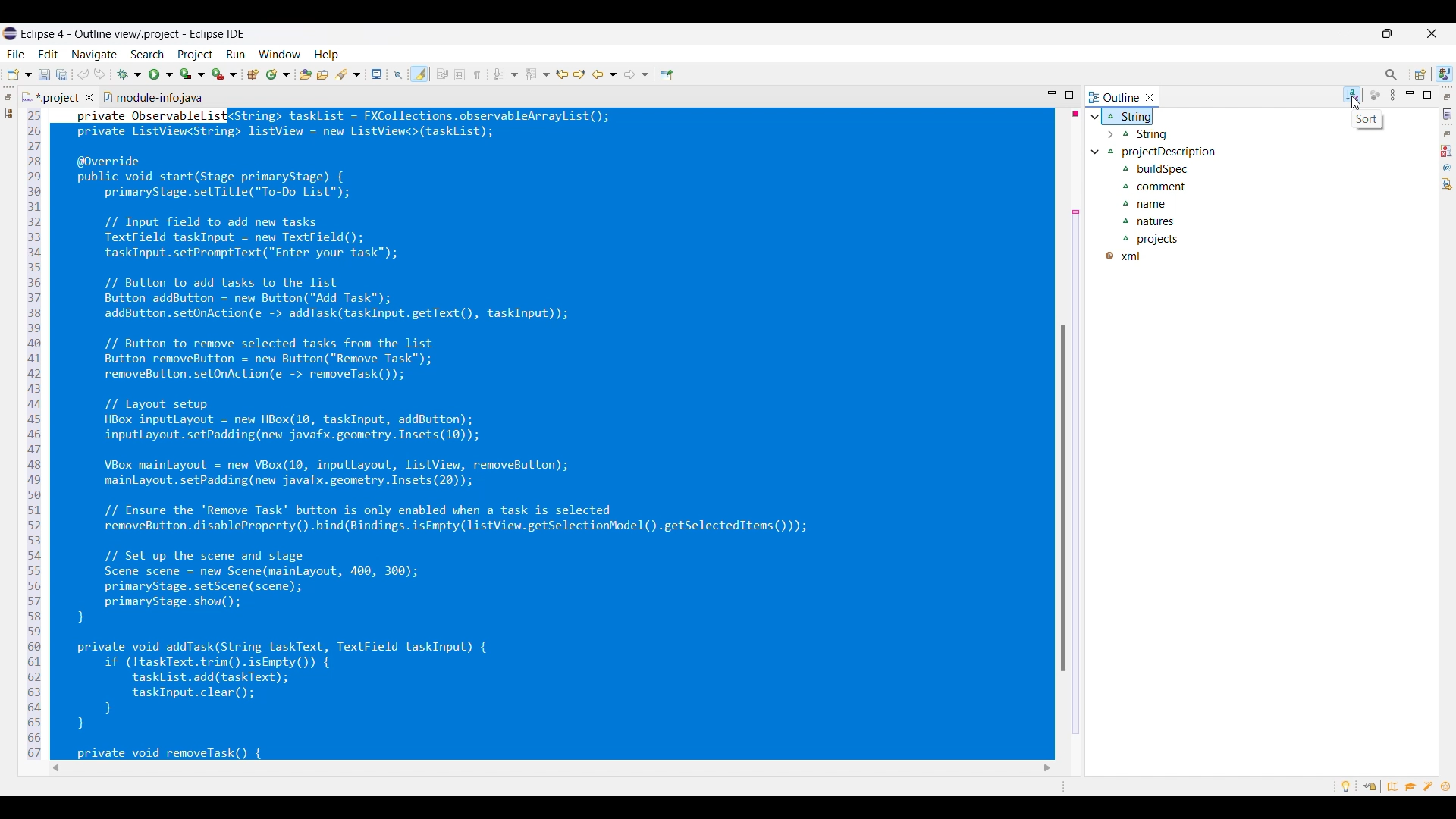 Image resolution: width=1456 pixels, height=819 pixels. I want to click on name, so click(1151, 206).